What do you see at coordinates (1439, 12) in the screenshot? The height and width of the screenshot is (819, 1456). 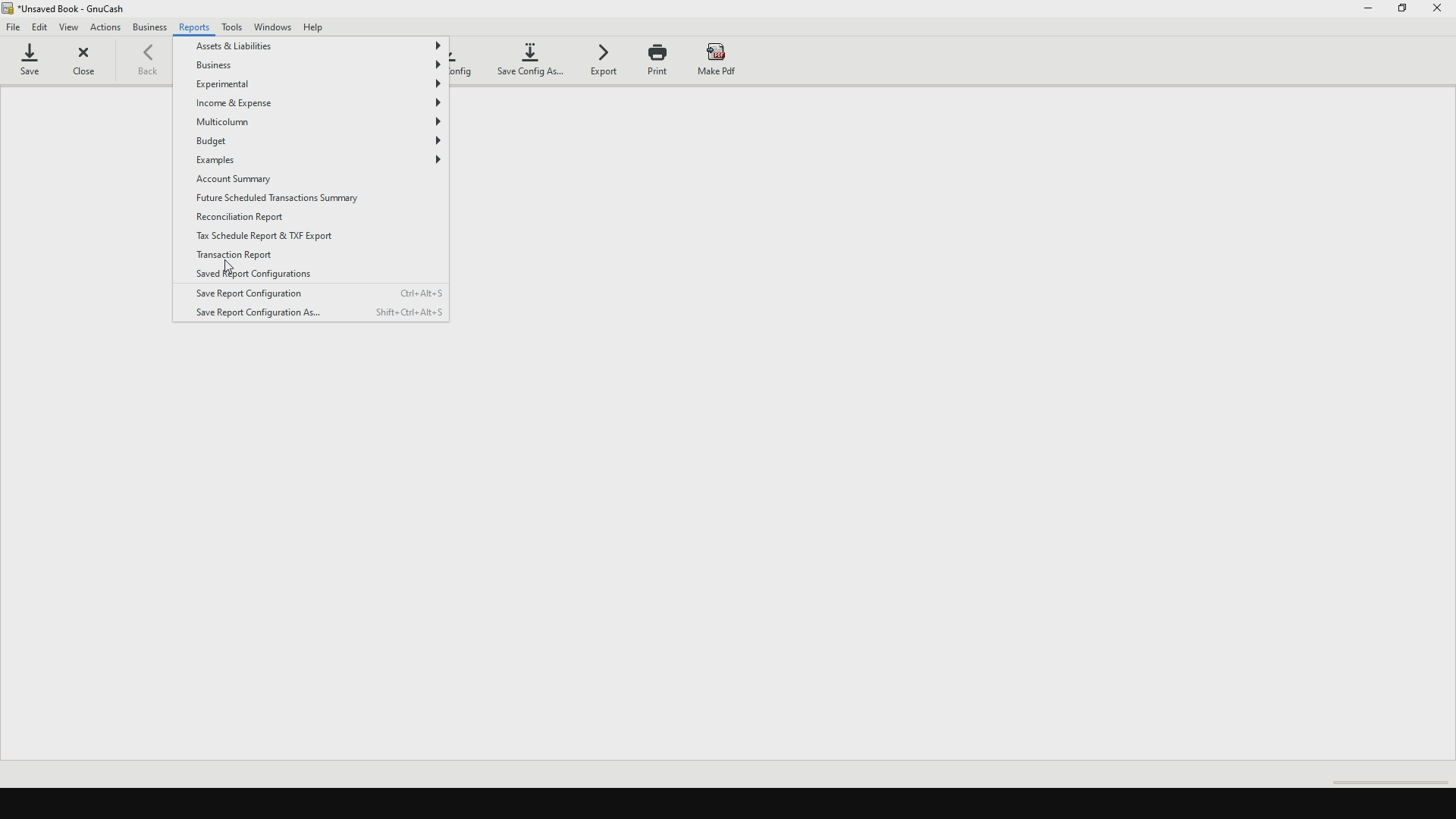 I see `close` at bounding box center [1439, 12].